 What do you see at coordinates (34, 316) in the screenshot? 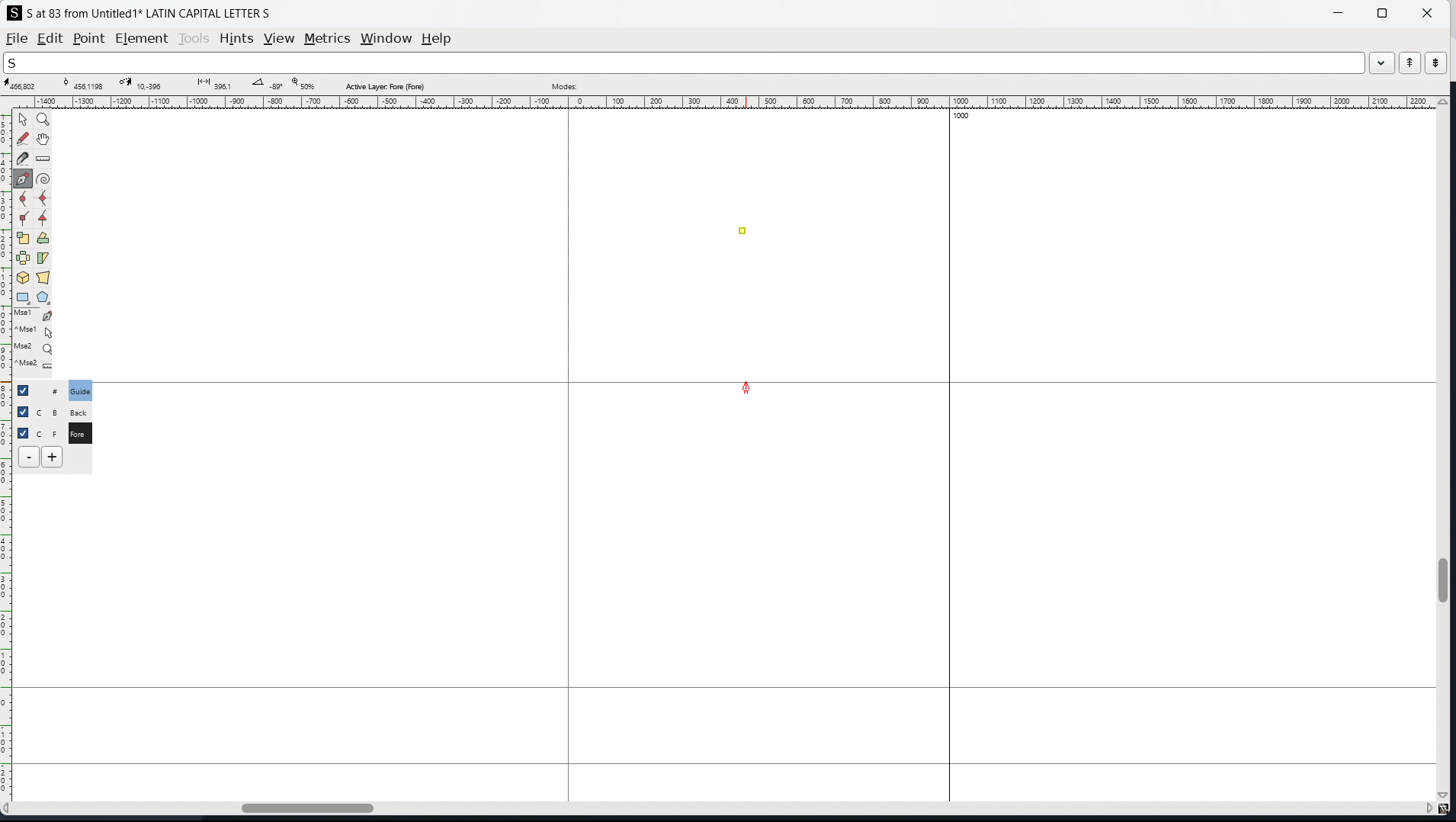
I see `Mse1` at bounding box center [34, 316].